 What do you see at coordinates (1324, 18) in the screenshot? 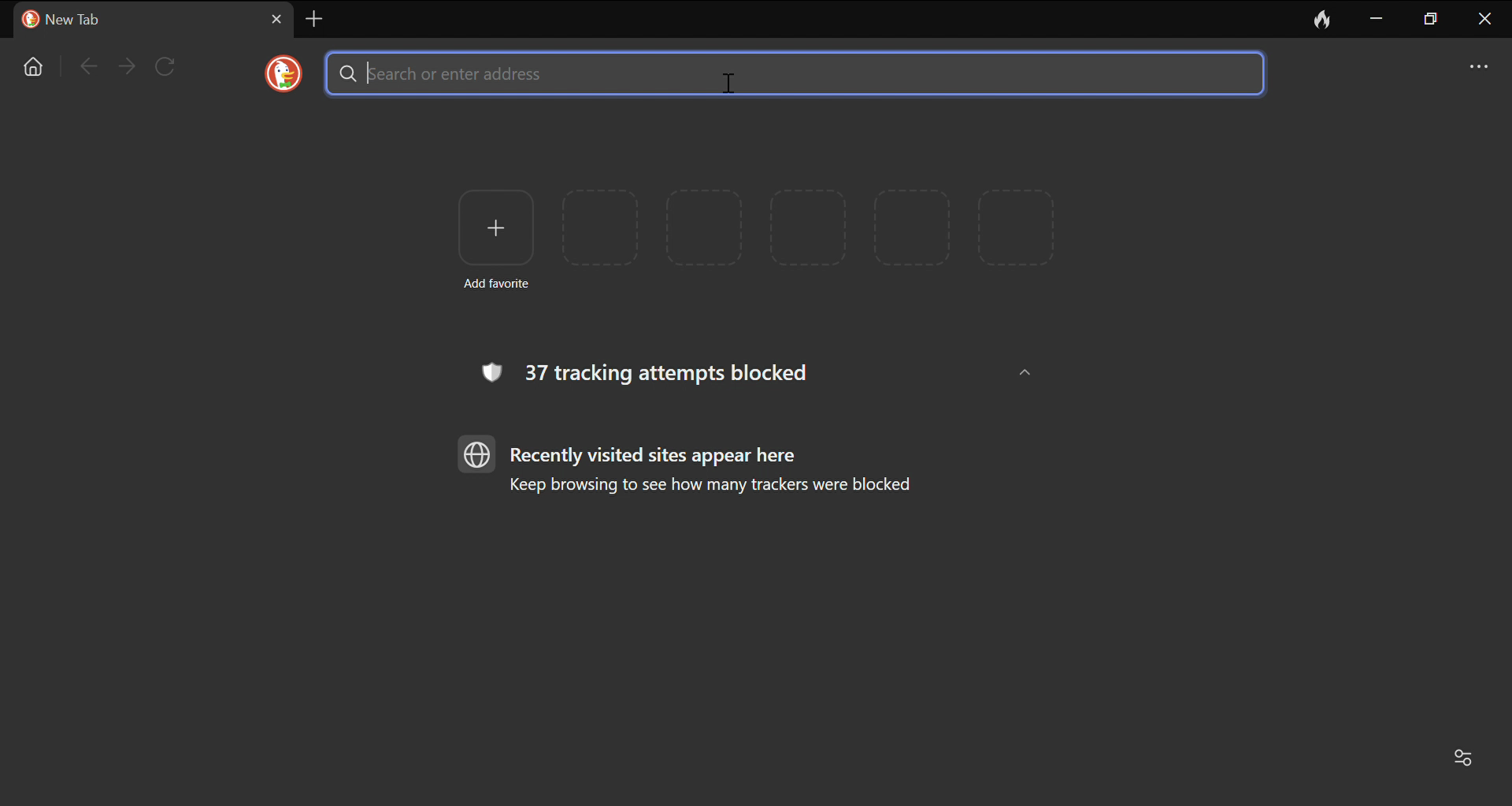
I see `Leave no trace` at bounding box center [1324, 18].